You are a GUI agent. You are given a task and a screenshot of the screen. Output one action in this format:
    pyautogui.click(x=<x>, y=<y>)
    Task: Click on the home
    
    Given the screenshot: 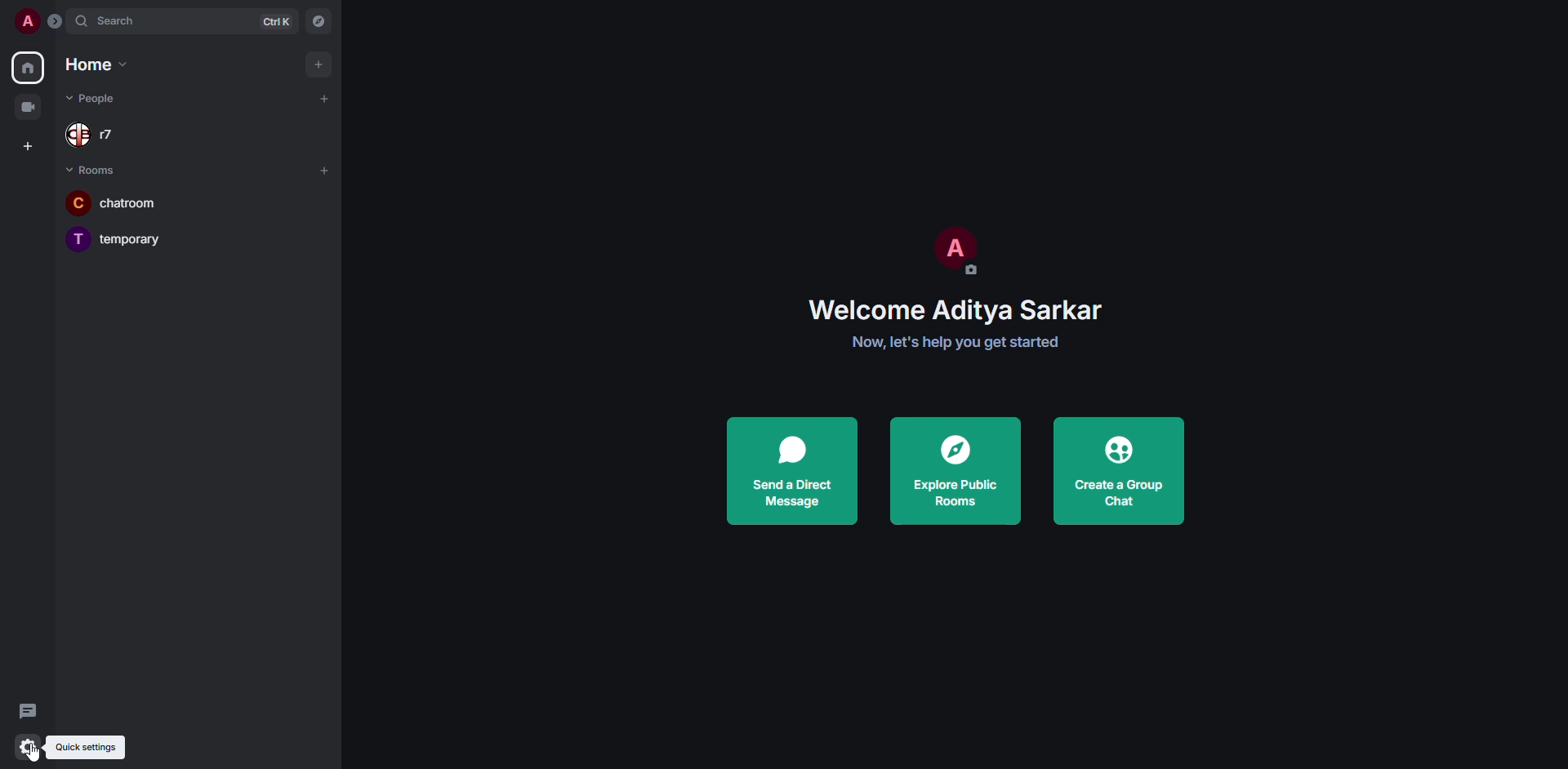 What is the action you would take?
    pyautogui.click(x=96, y=62)
    